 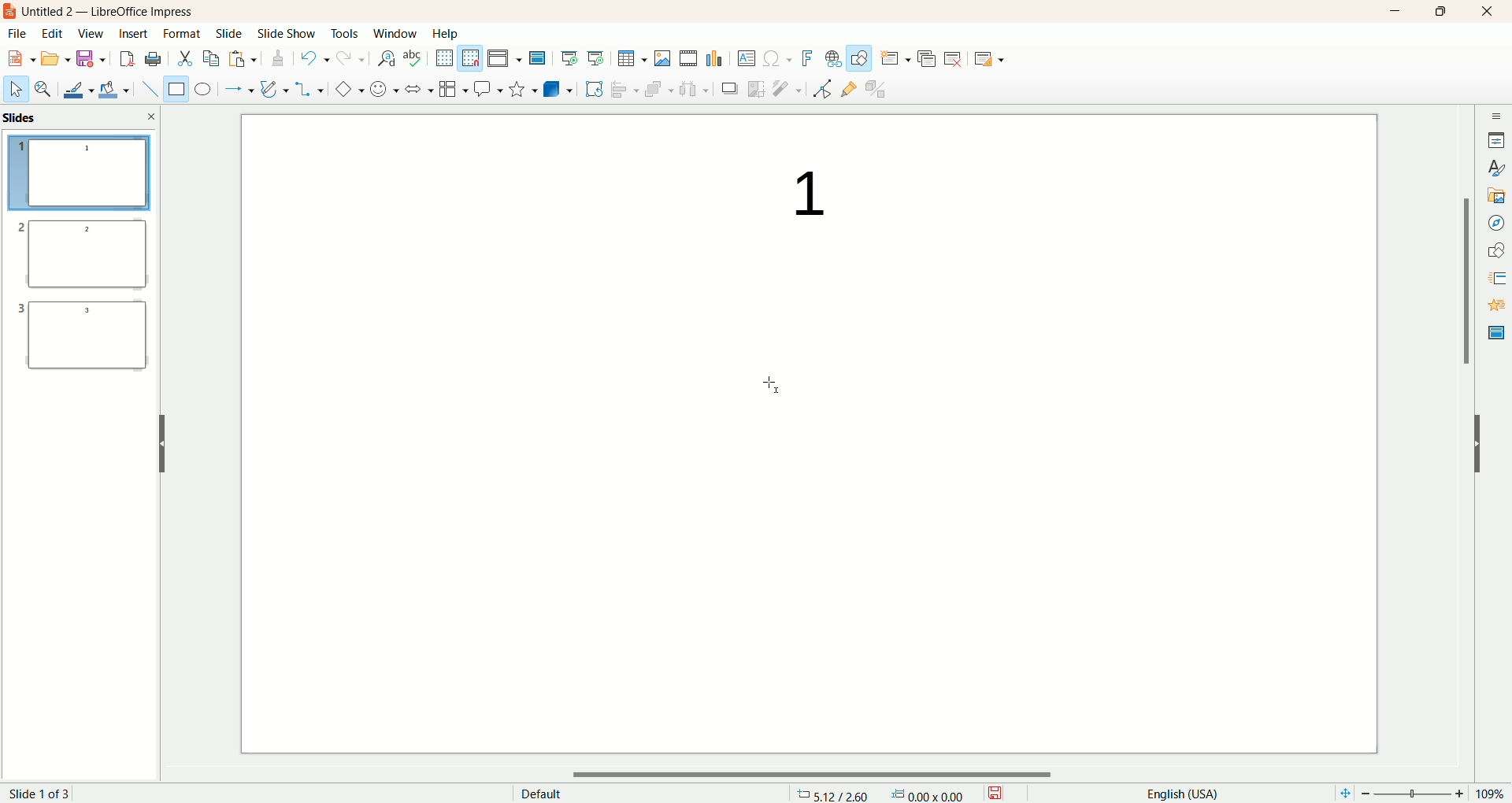 What do you see at coordinates (795, 195) in the screenshot?
I see `text` at bounding box center [795, 195].